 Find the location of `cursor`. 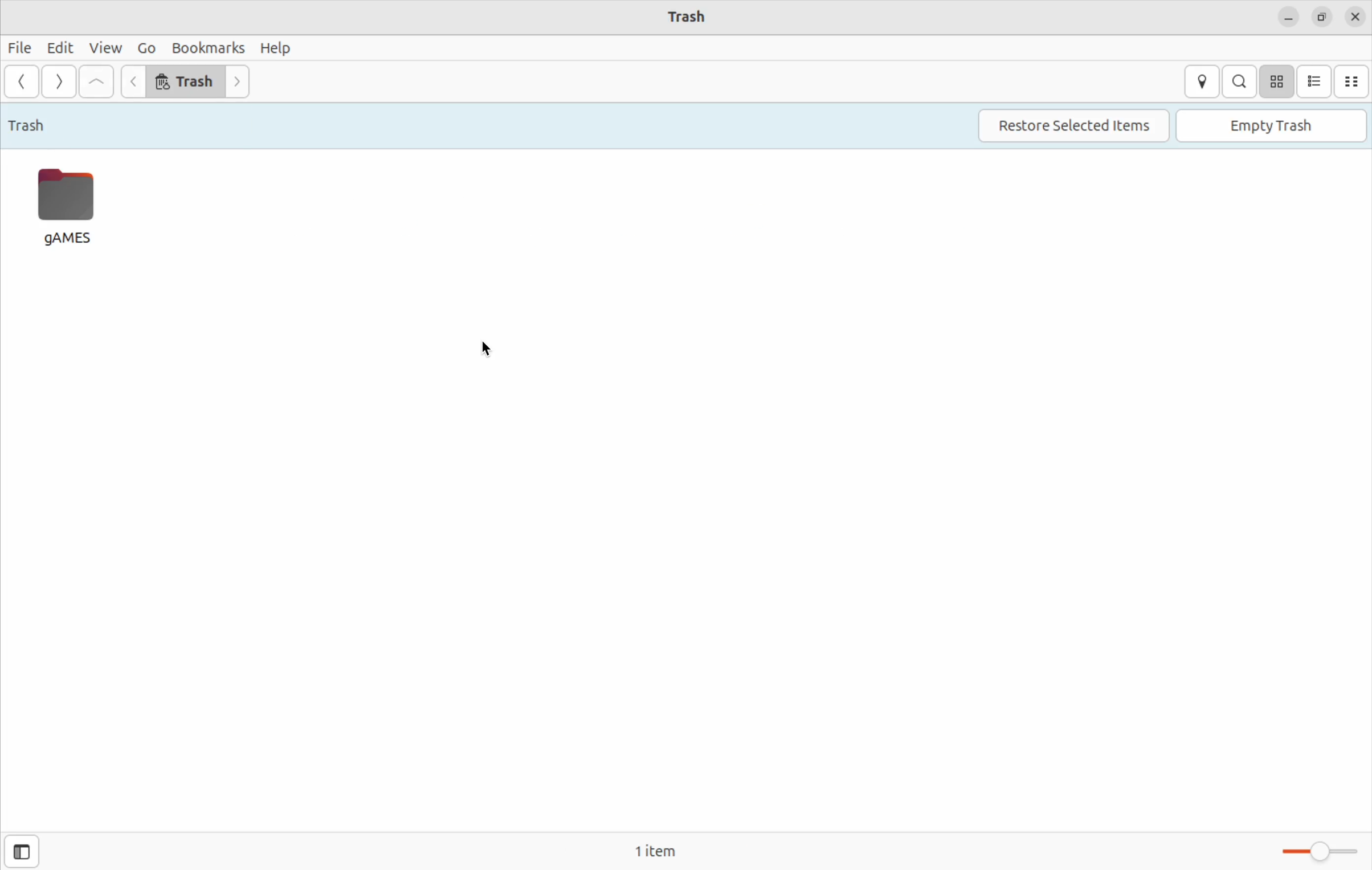

cursor is located at coordinates (486, 349).